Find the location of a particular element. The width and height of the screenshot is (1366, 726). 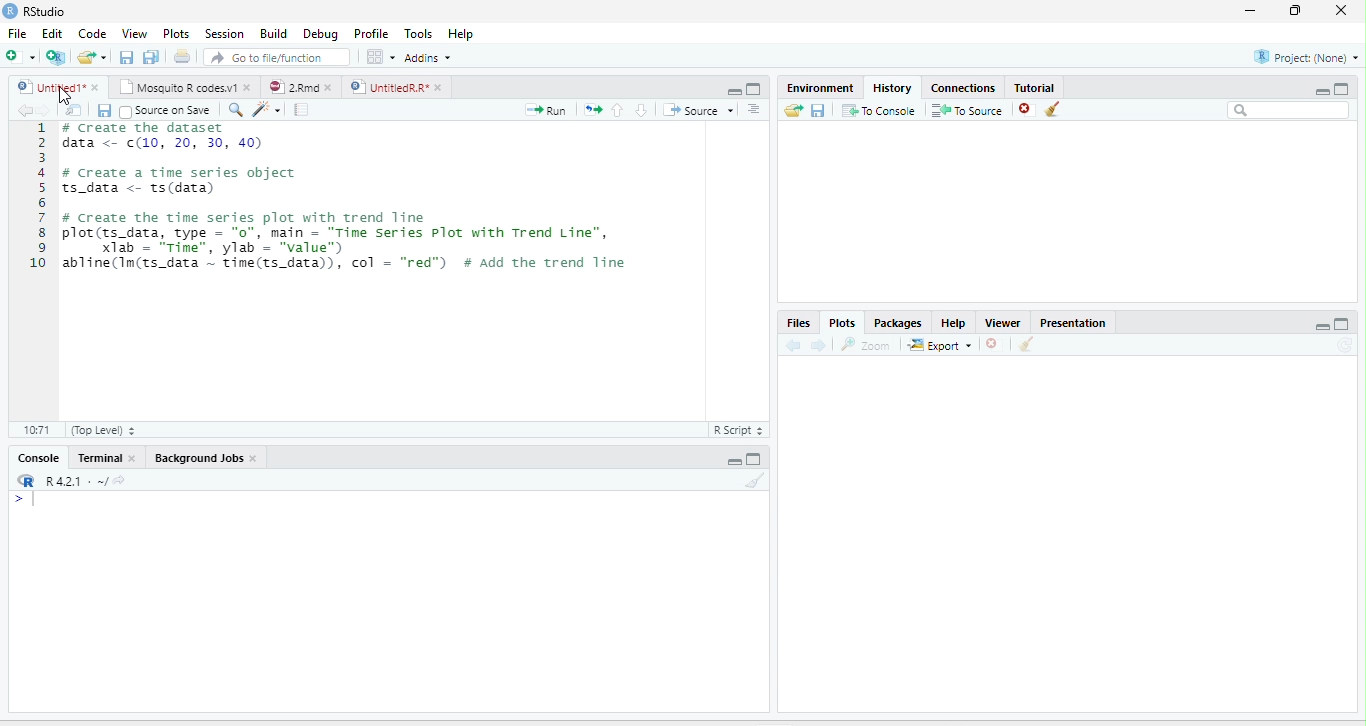

Zoom is located at coordinates (867, 344).